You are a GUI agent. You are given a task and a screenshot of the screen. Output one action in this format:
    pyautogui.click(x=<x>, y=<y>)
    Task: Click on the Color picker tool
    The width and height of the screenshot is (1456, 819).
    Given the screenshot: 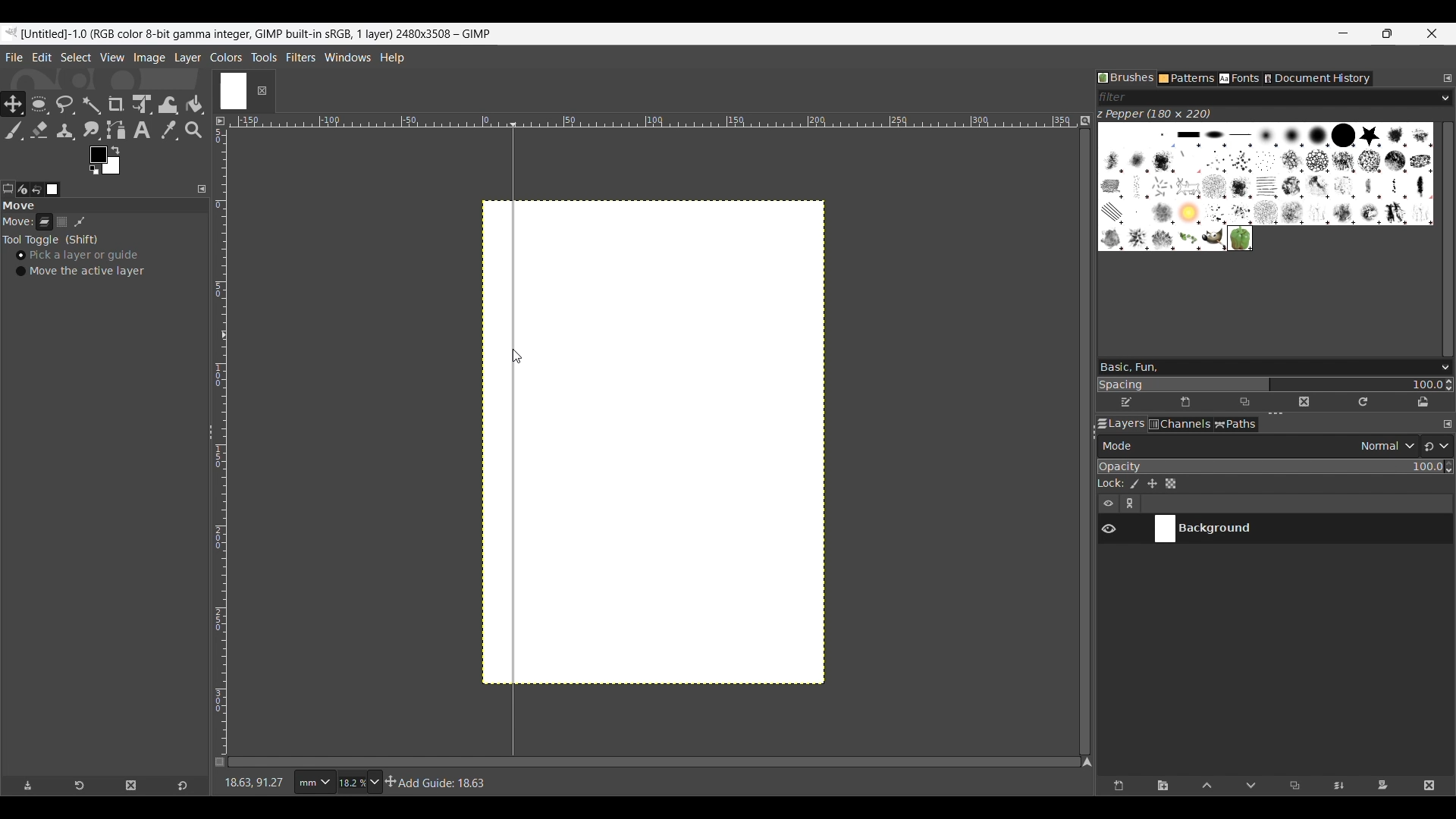 What is the action you would take?
    pyautogui.click(x=169, y=130)
    